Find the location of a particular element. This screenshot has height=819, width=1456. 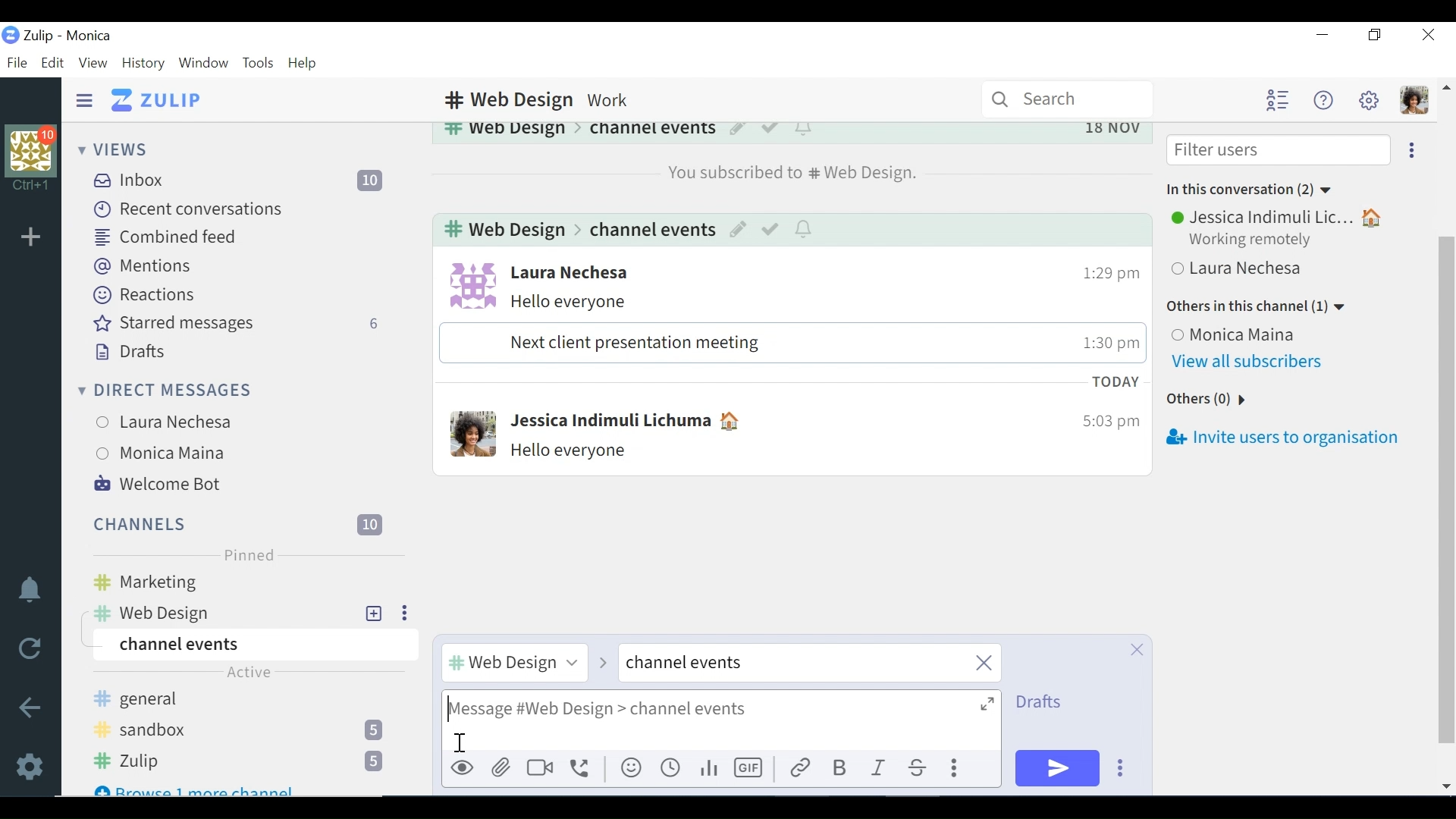

mark as resolved is located at coordinates (770, 229).